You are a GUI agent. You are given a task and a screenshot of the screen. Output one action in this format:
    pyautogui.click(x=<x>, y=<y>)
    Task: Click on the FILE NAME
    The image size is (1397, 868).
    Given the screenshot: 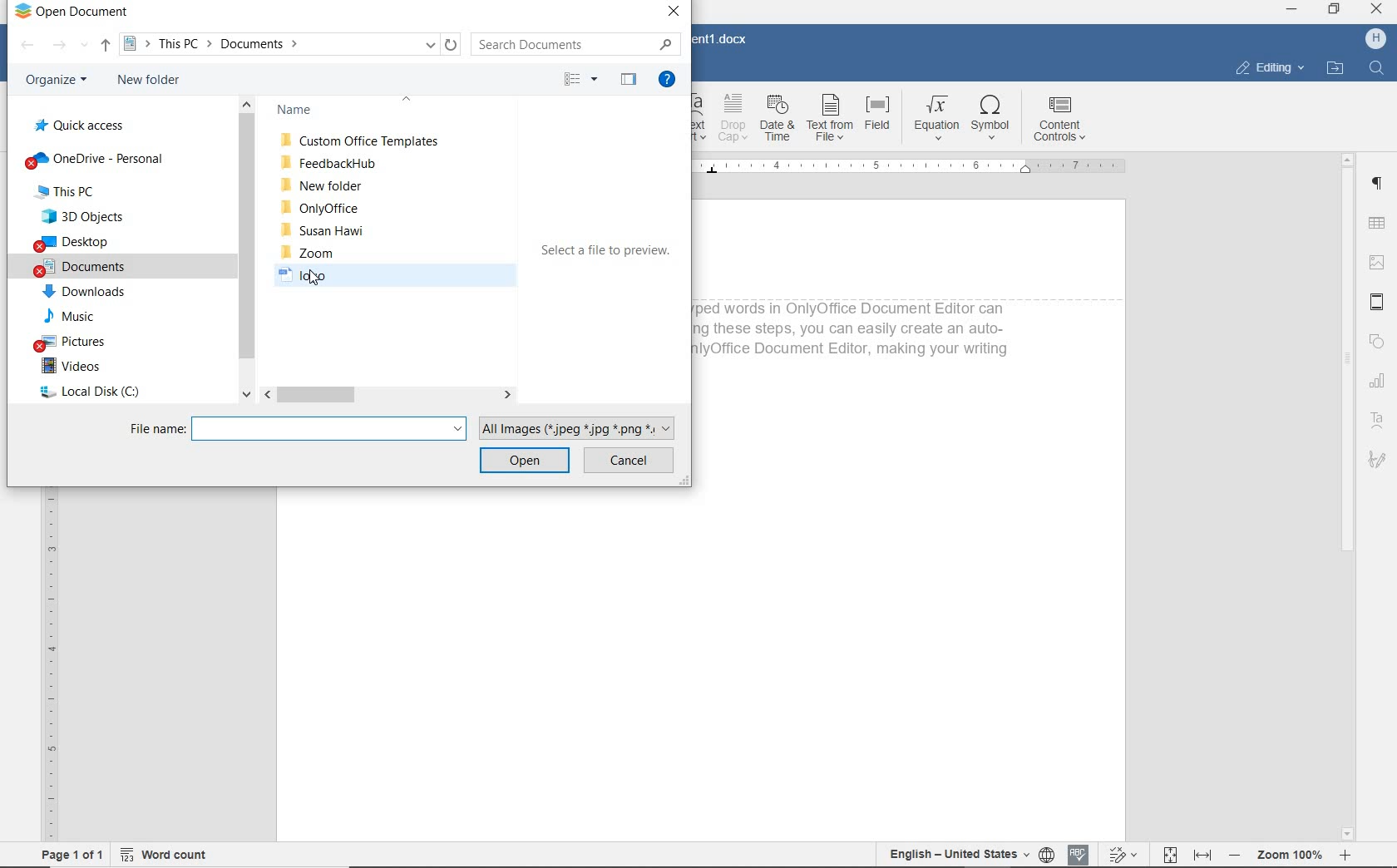 What is the action you would take?
    pyautogui.click(x=155, y=428)
    